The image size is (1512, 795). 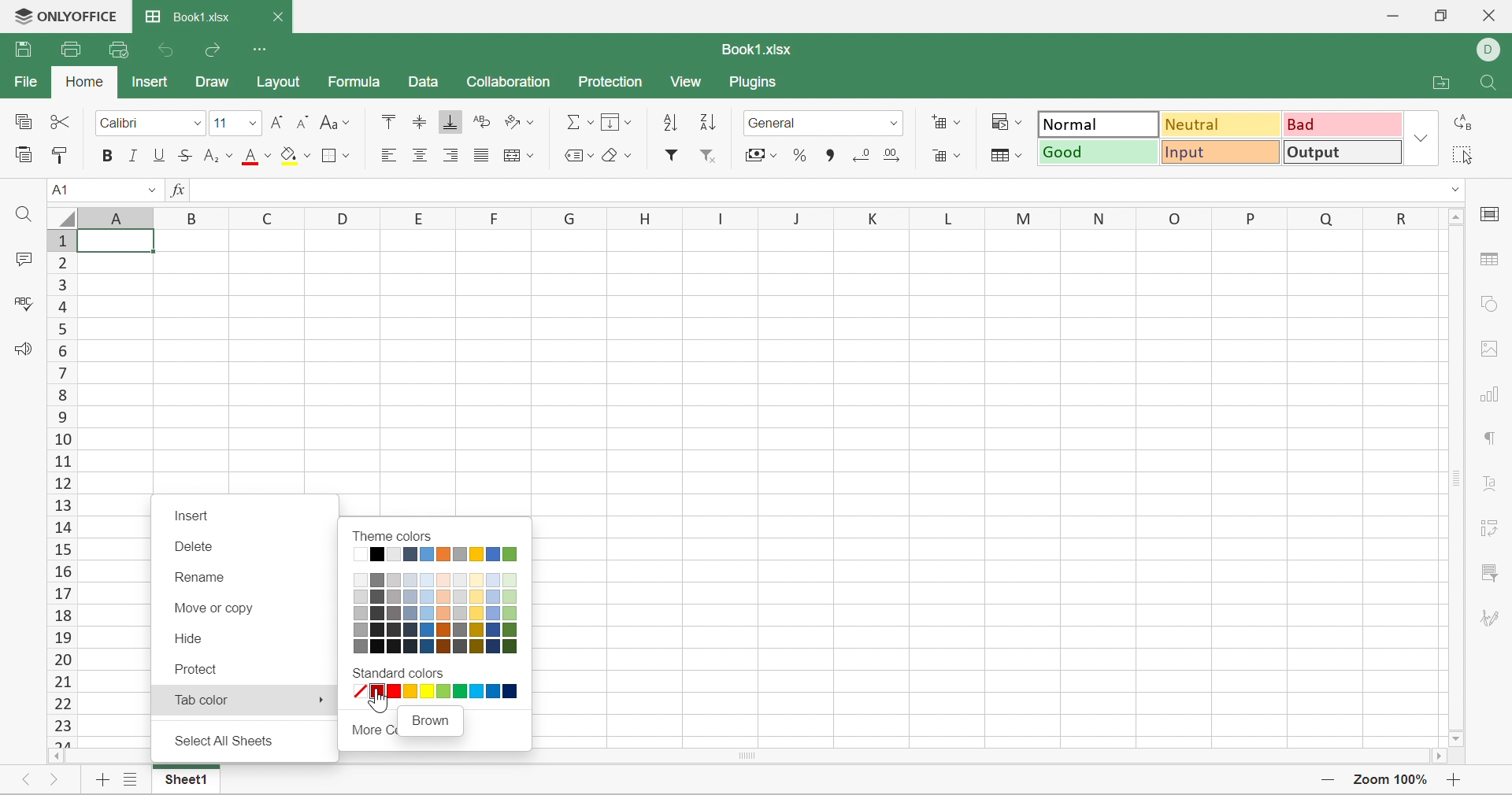 I want to click on 13, so click(x=65, y=506).